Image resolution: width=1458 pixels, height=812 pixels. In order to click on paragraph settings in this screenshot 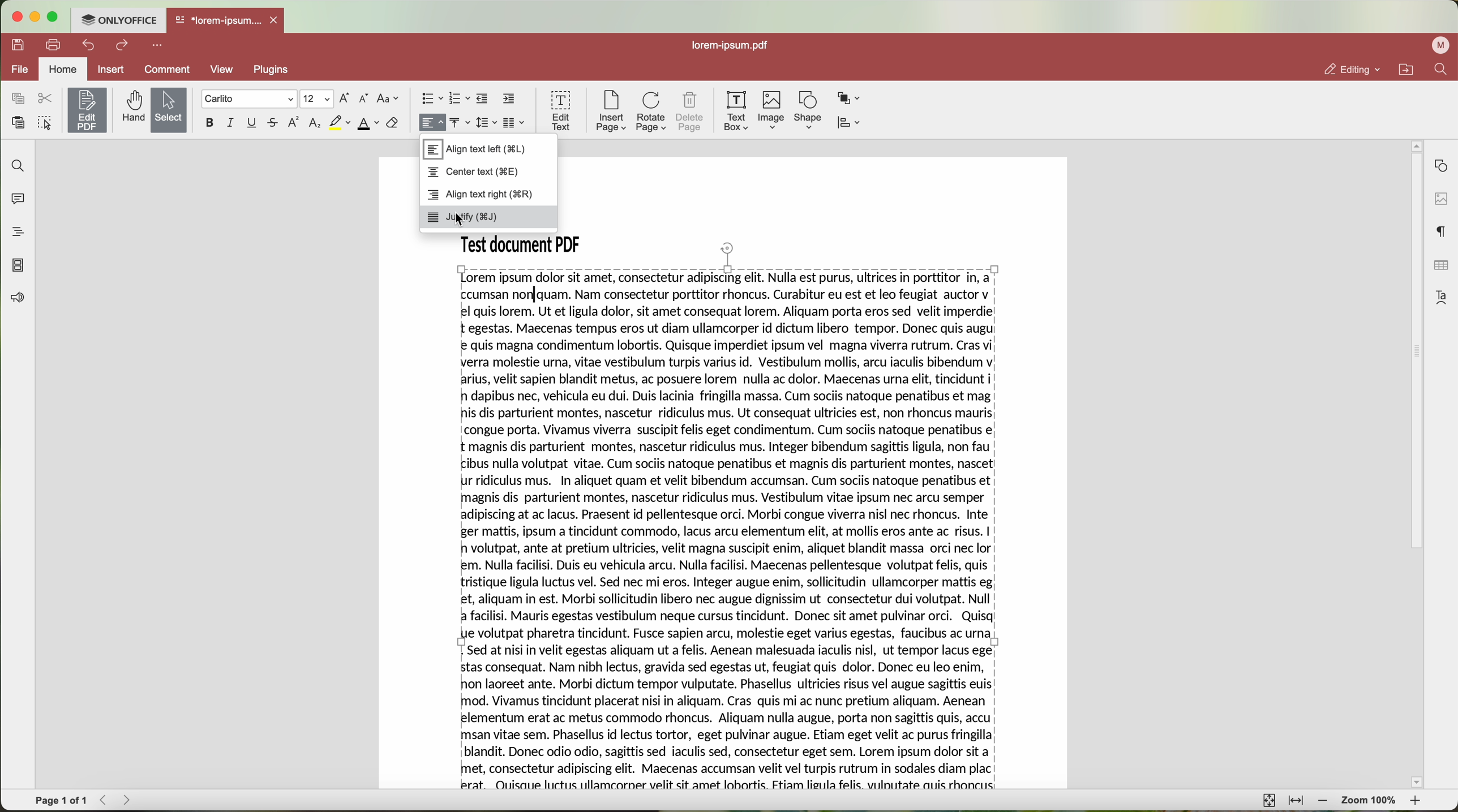, I will do `click(1442, 231)`.